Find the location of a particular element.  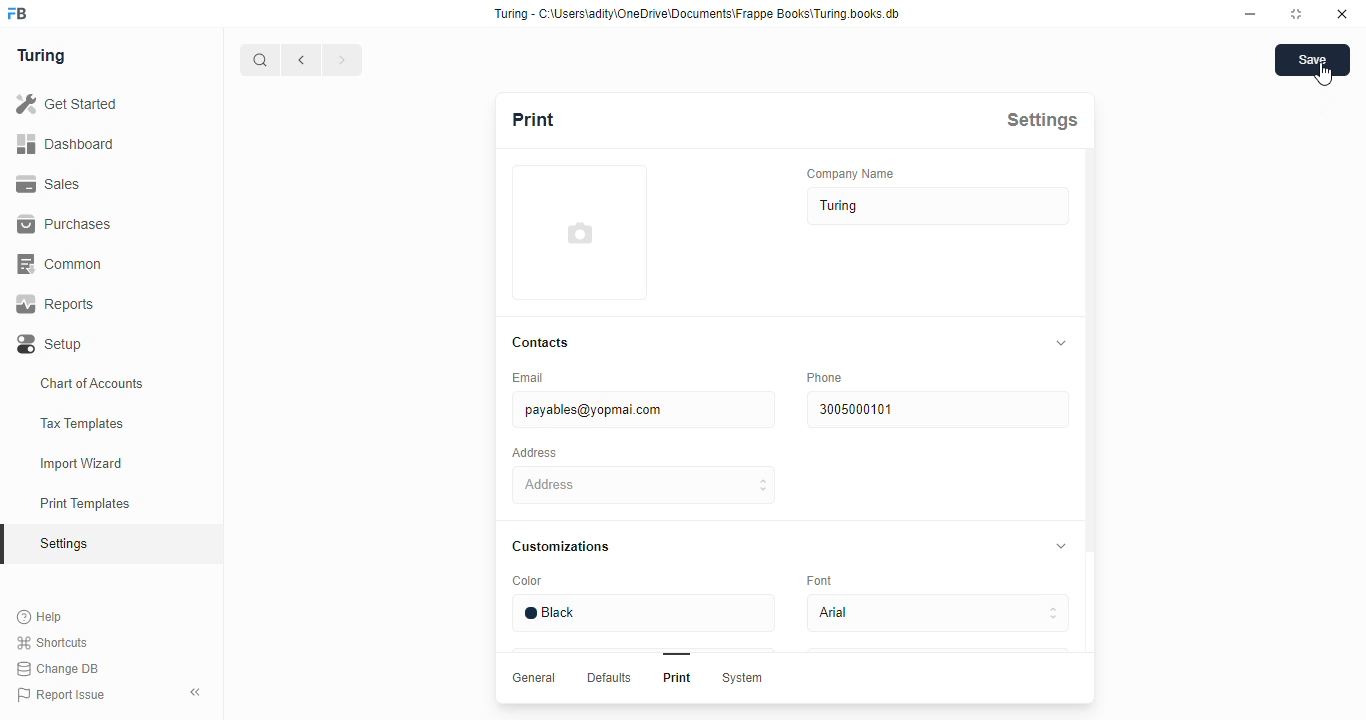

Color. is located at coordinates (529, 582).